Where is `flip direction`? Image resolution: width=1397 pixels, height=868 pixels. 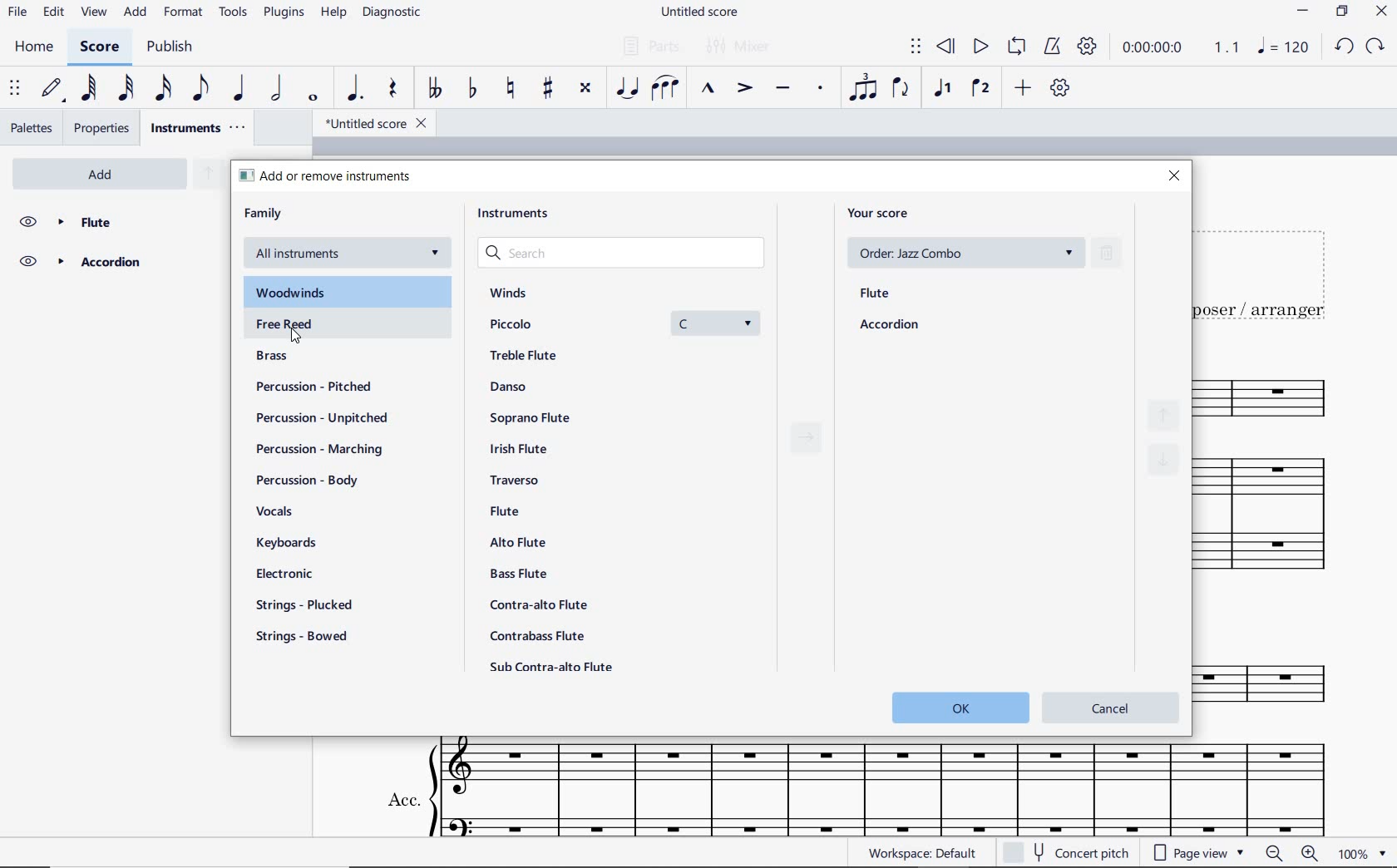 flip direction is located at coordinates (902, 89).